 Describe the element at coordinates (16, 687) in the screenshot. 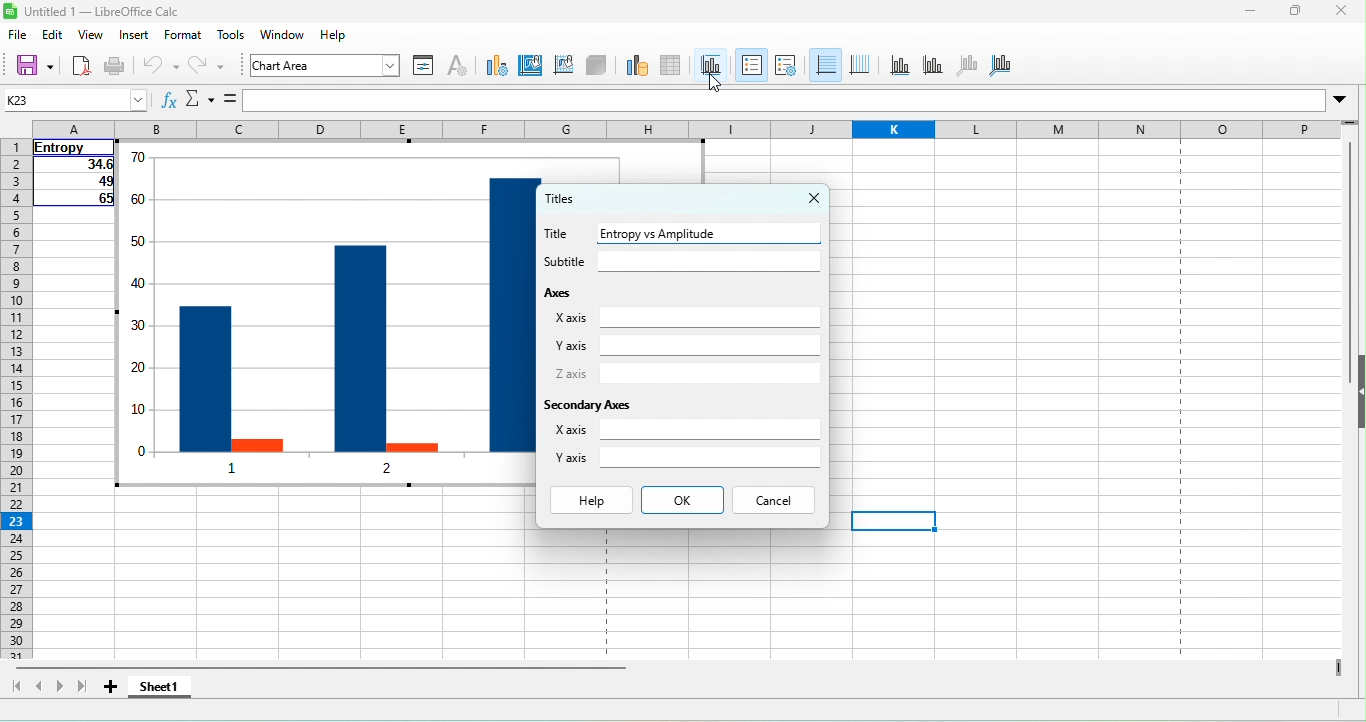

I see `scroll to first sheet` at that location.